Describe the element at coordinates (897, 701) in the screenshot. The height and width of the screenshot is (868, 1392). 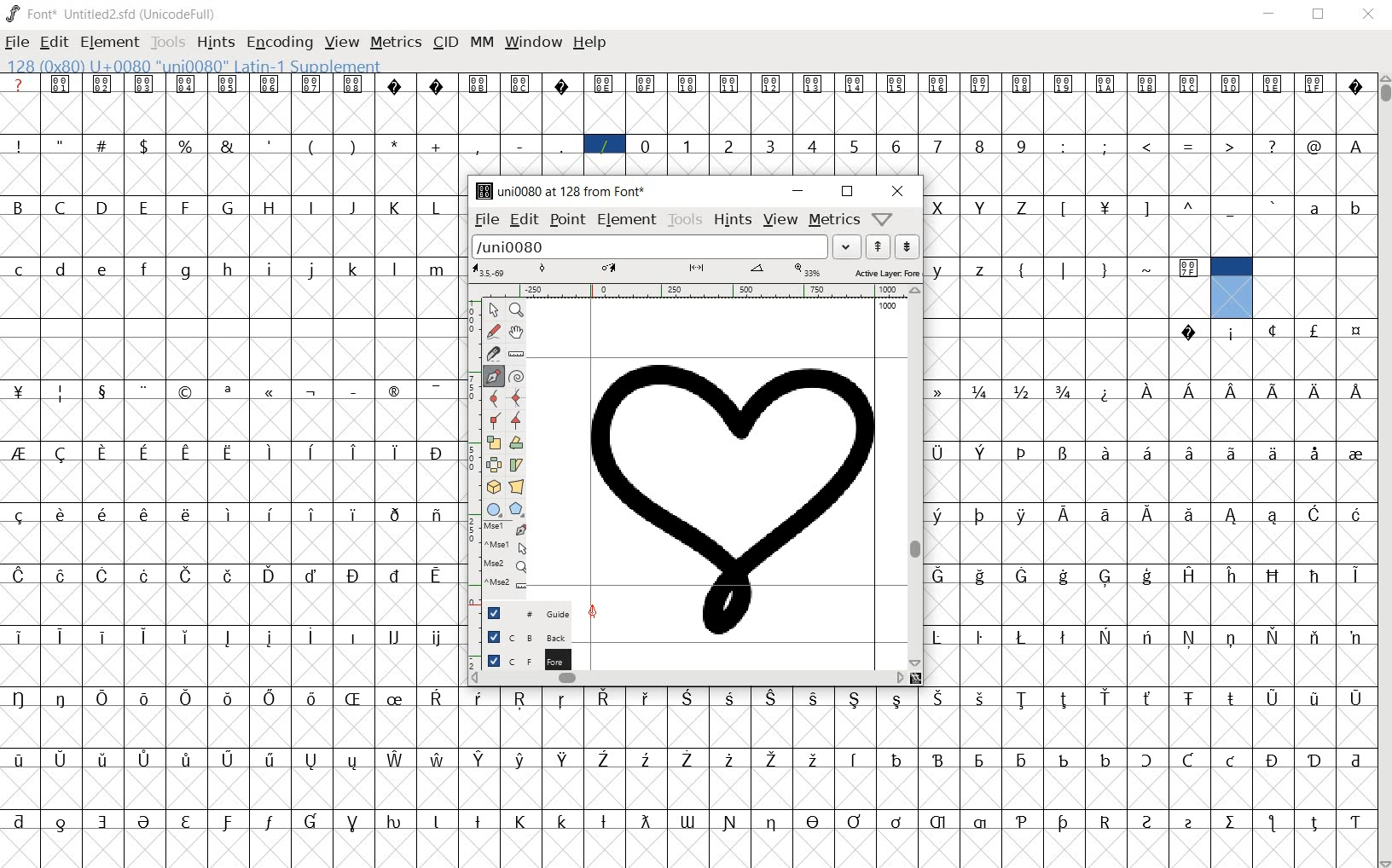
I see `glyph` at that location.